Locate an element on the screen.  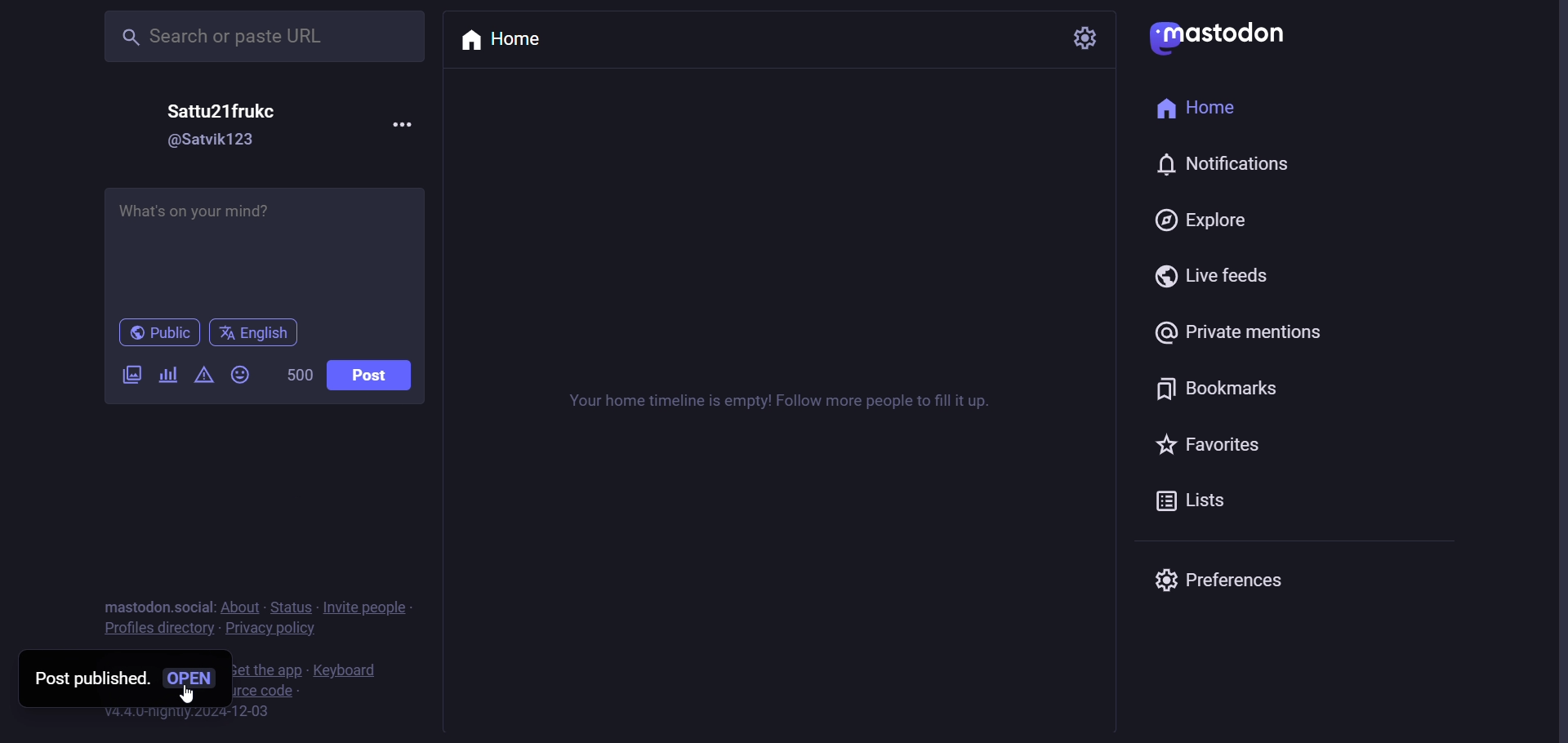
emoji is located at coordinates (241, 376).